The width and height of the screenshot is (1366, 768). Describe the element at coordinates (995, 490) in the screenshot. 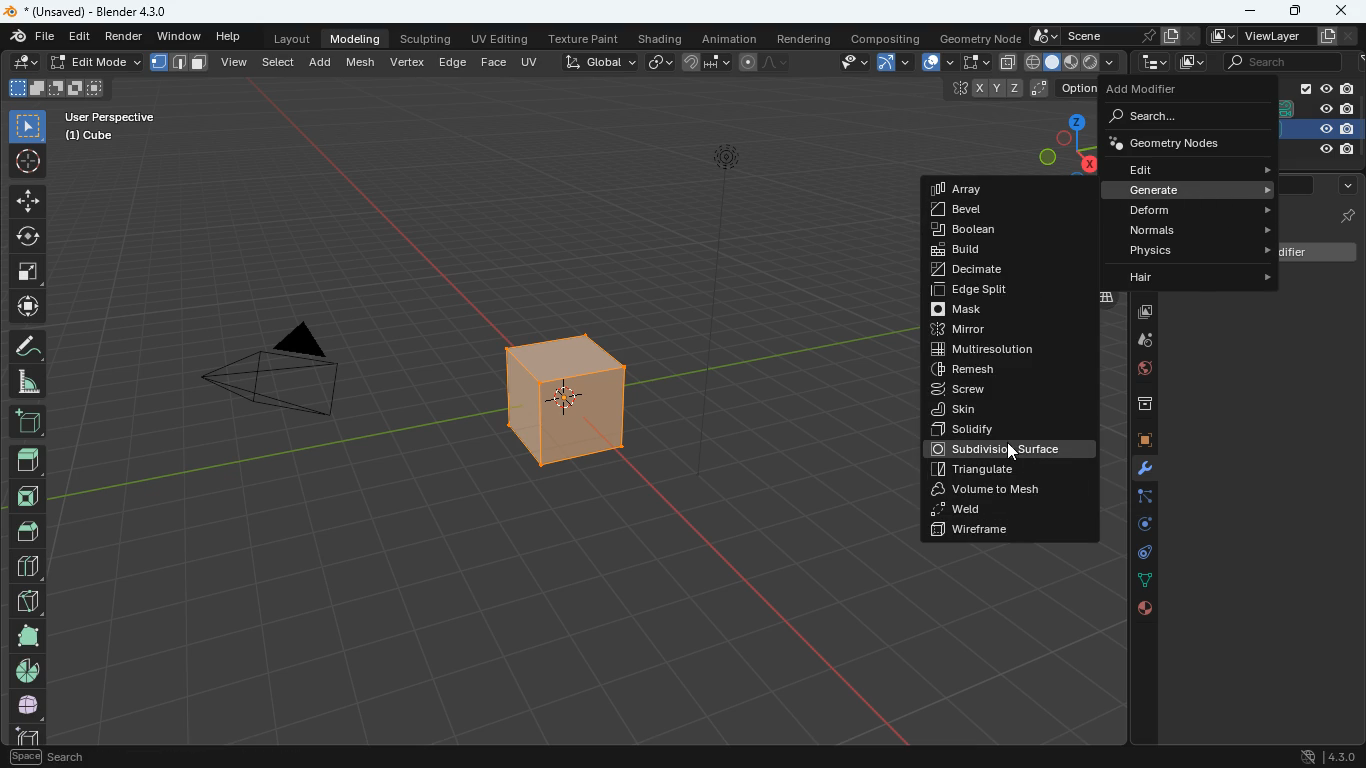

I see `volume to mesh` at that location.